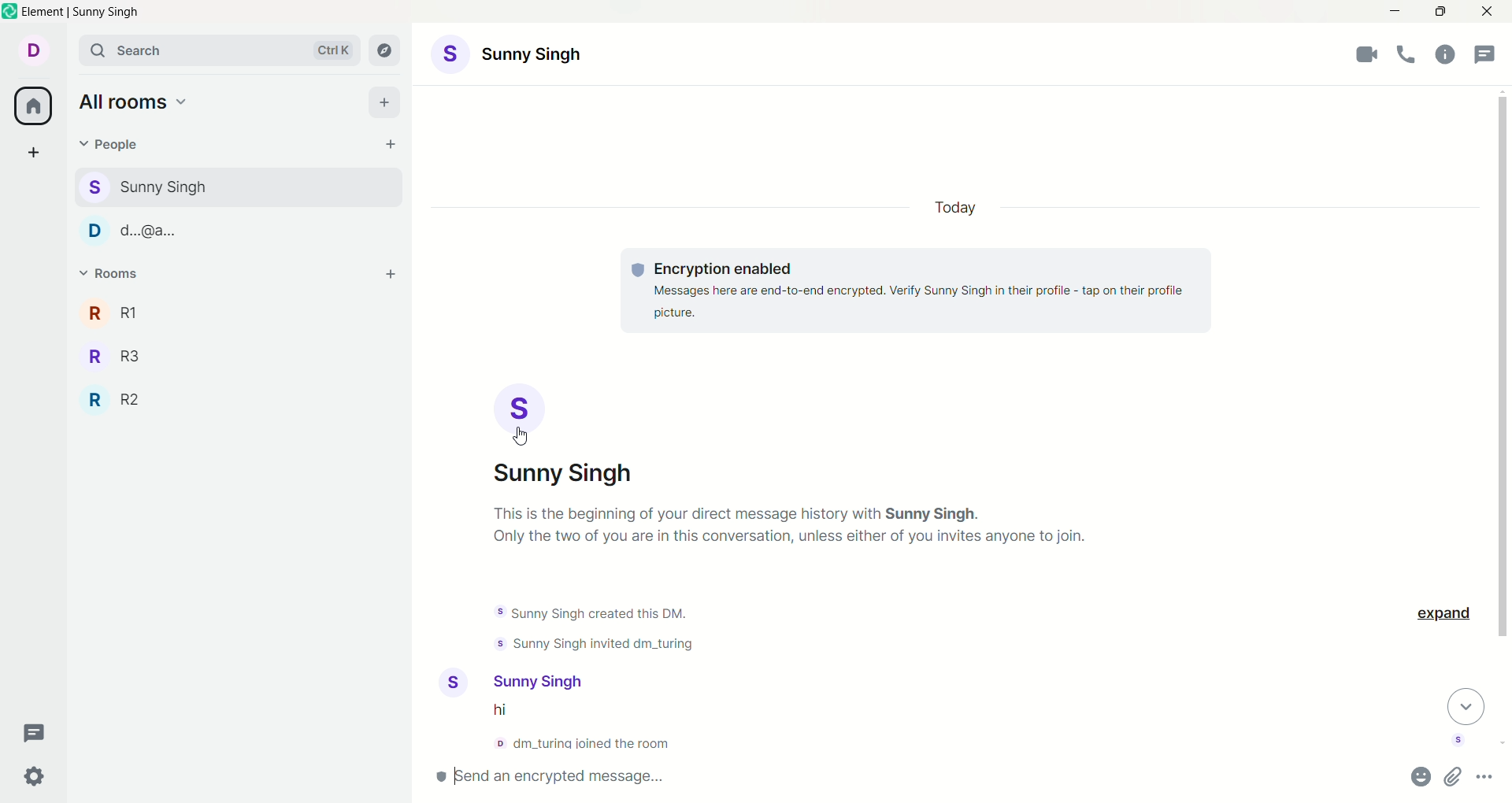 The width and height of the screenshot is (1512, 803). Describe the element at coordinates (577, 730) in the screenshot. I see `text` at that location.